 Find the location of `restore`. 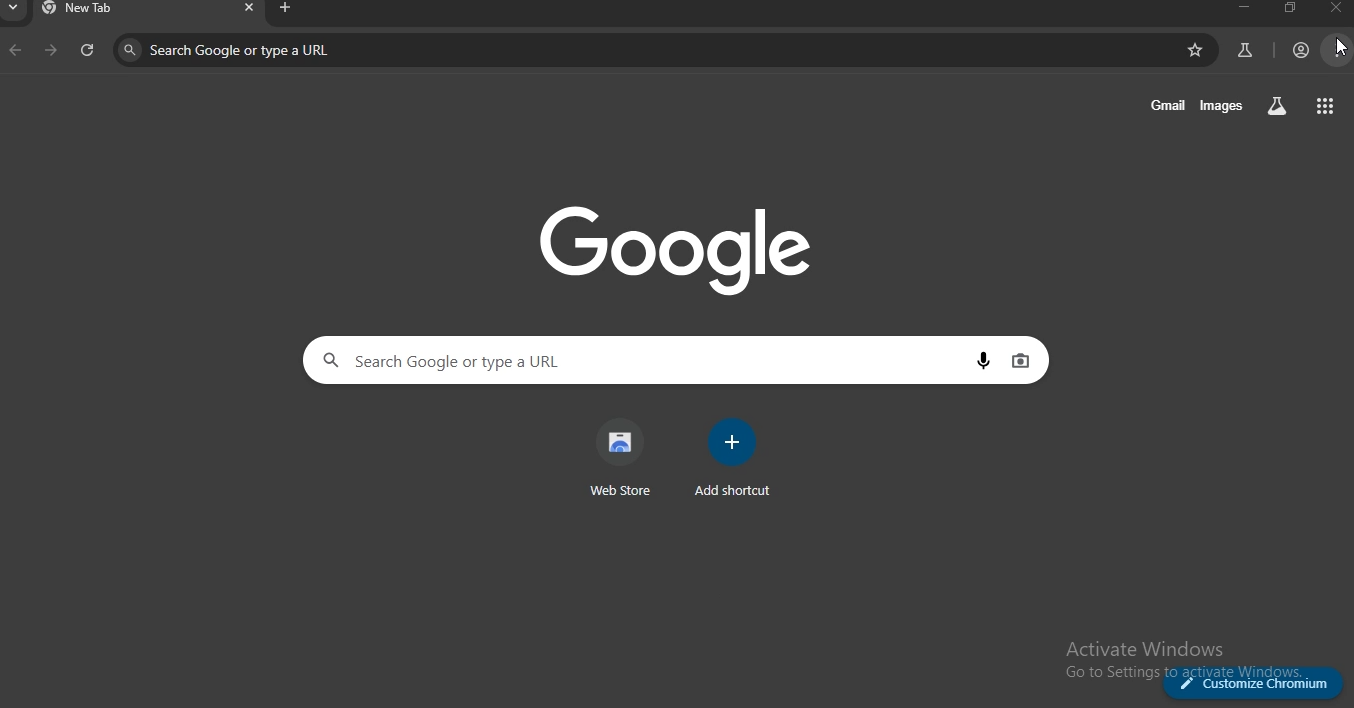

restore is located at coordinates (1291, 8).